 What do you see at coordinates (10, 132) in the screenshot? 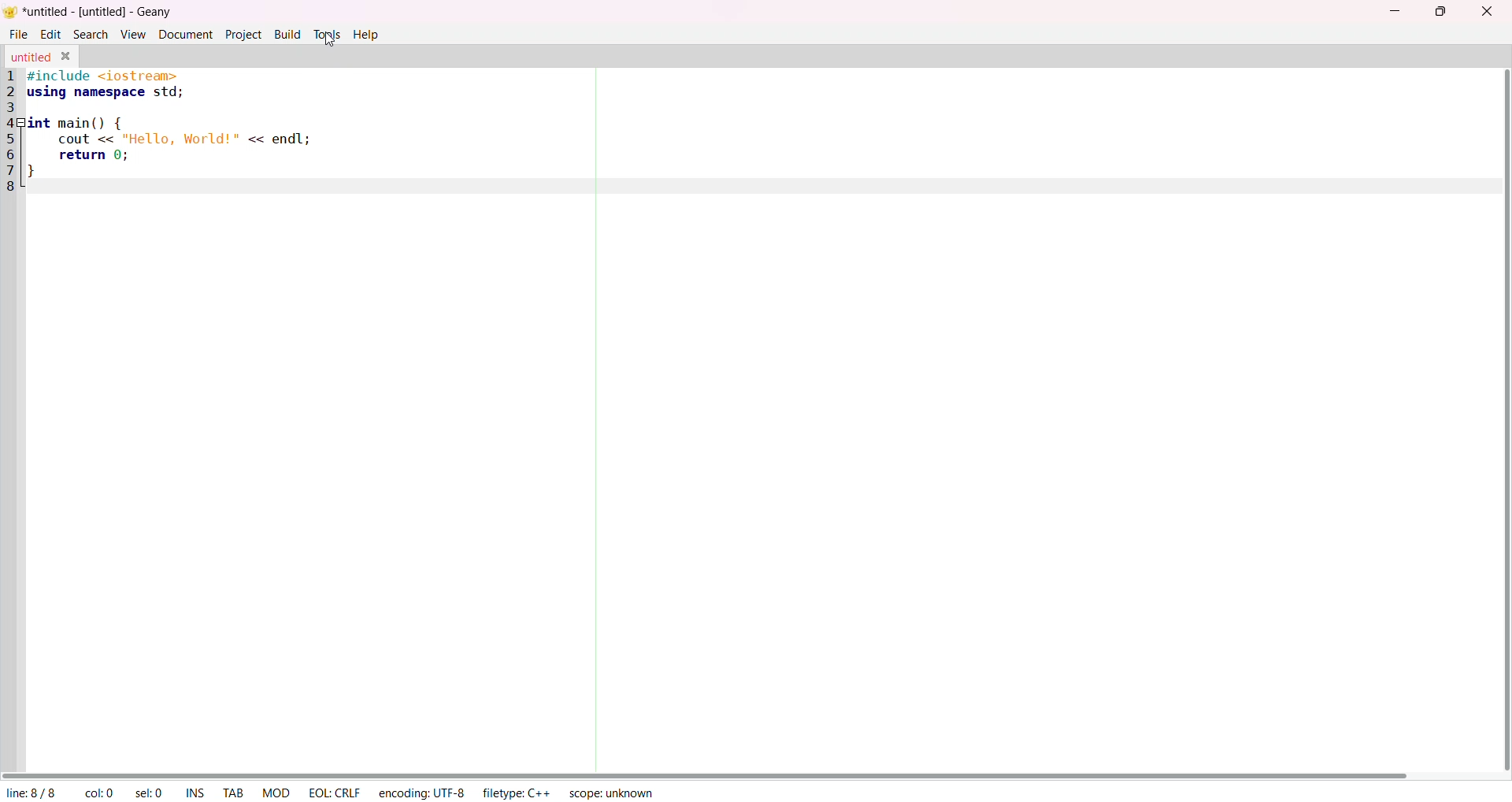
I see `line number` at bounding box center [10, 132].